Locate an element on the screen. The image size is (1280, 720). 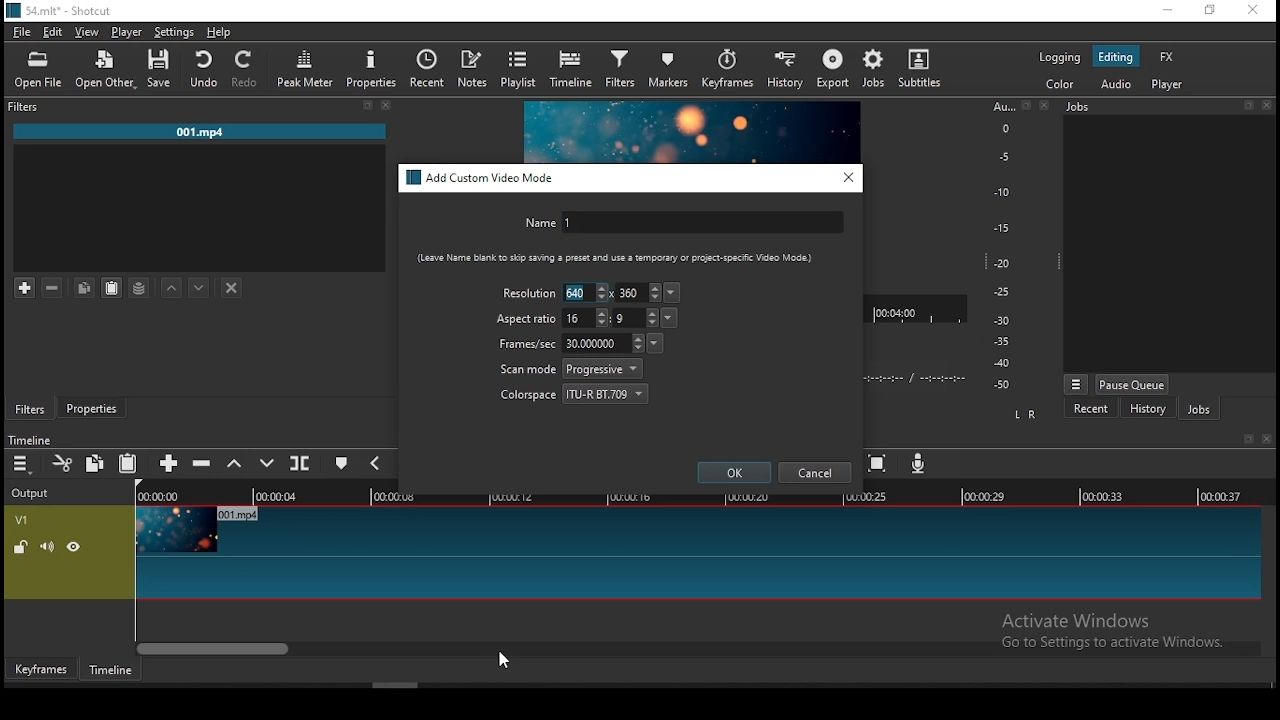
close is located at coordinates (387, 105).